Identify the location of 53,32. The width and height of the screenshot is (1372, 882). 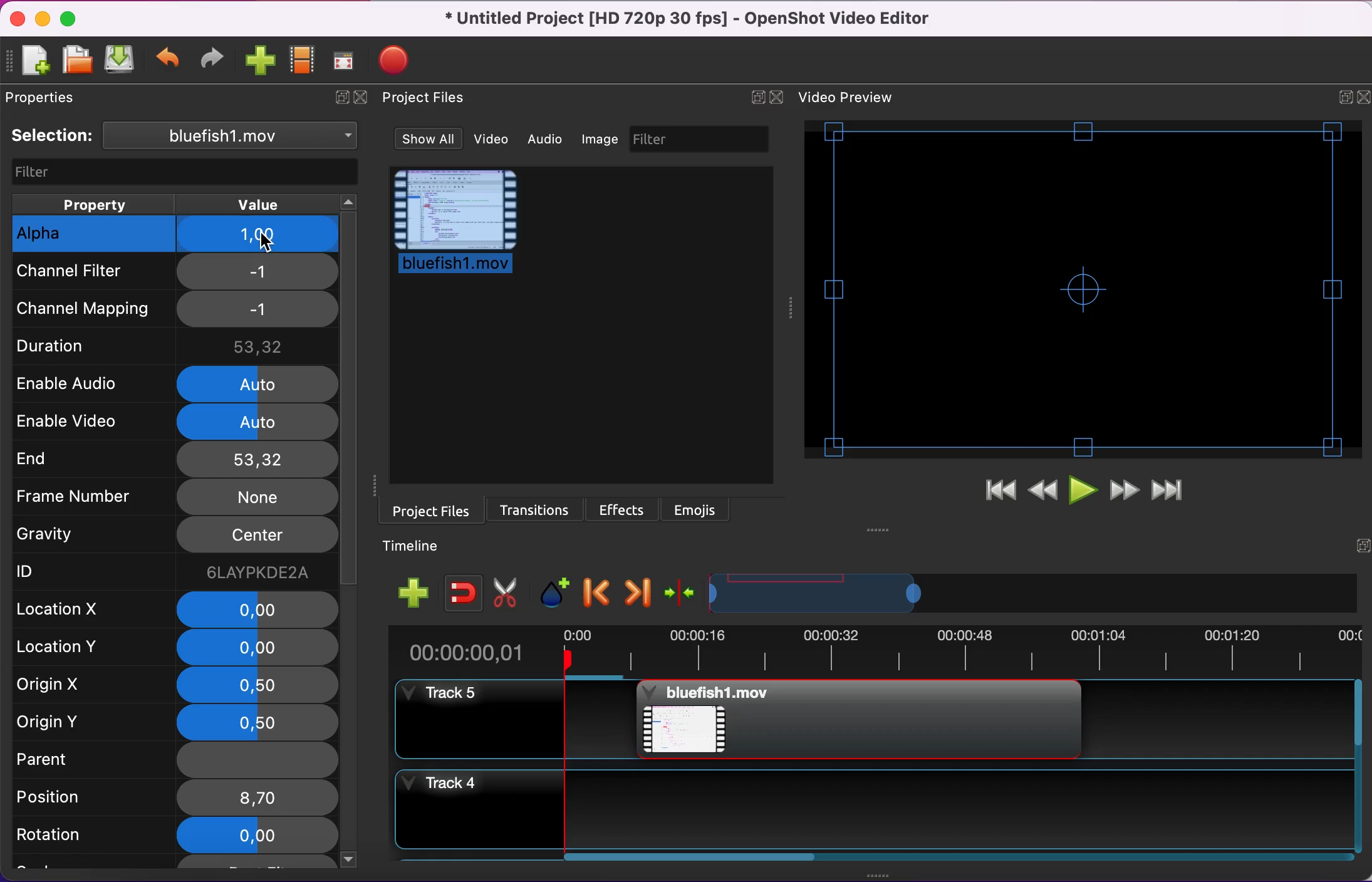
(258, 346).